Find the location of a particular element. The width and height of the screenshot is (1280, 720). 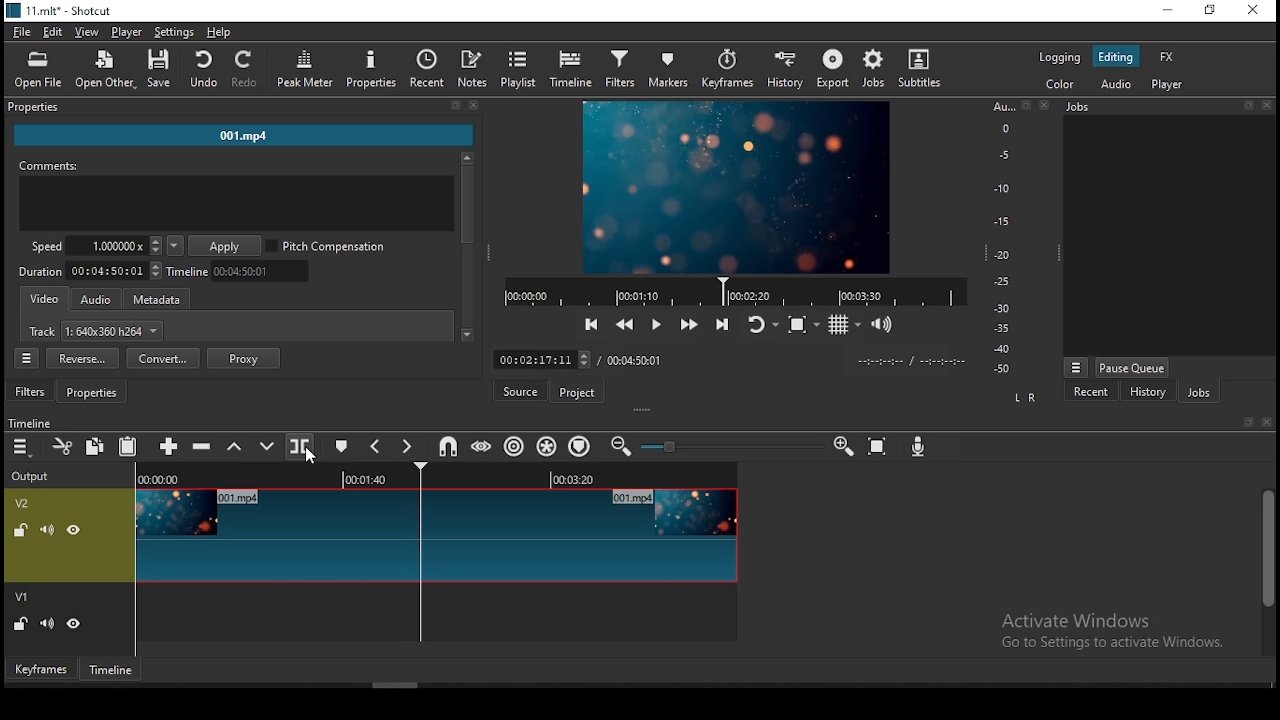

SCROLLBAR is located at coordinates (467, 249).